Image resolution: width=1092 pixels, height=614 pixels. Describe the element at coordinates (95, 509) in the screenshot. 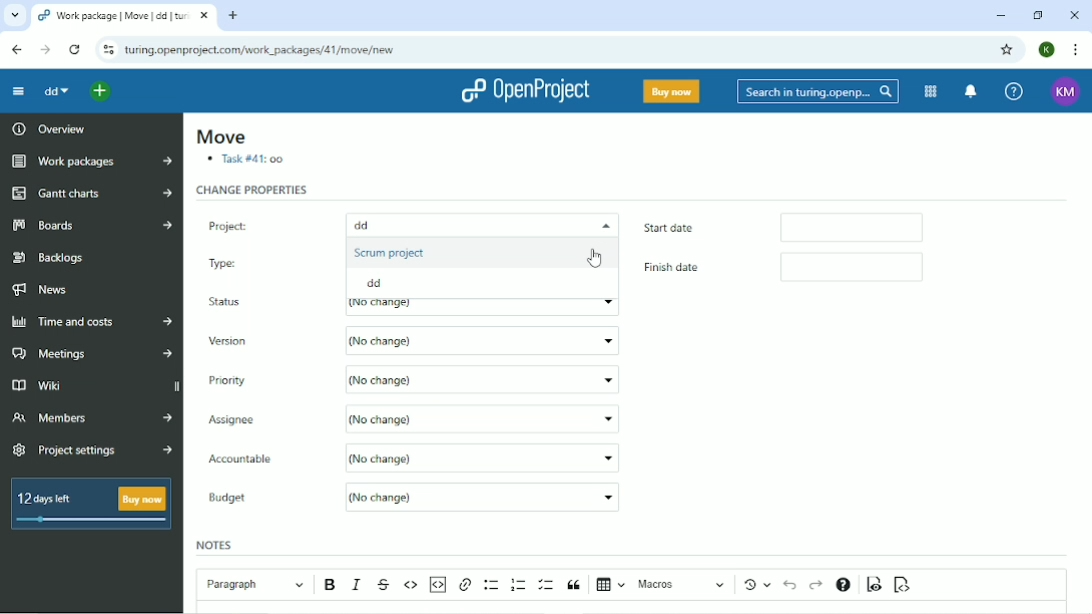

I see `12 days left Buy now` at that location.